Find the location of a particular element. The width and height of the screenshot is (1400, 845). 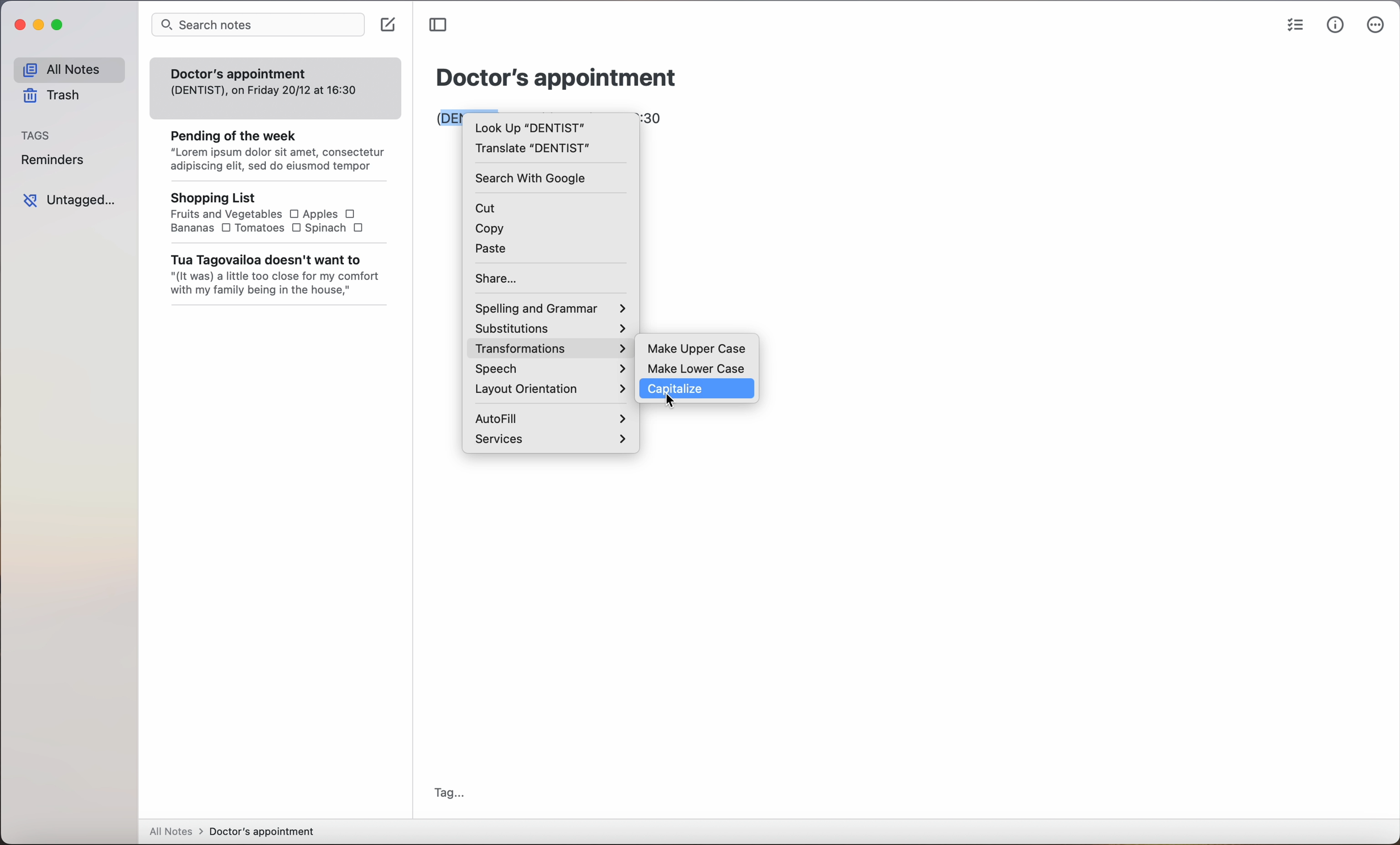

all notes > Doctor's appointment is located at coordinates (234, 831).